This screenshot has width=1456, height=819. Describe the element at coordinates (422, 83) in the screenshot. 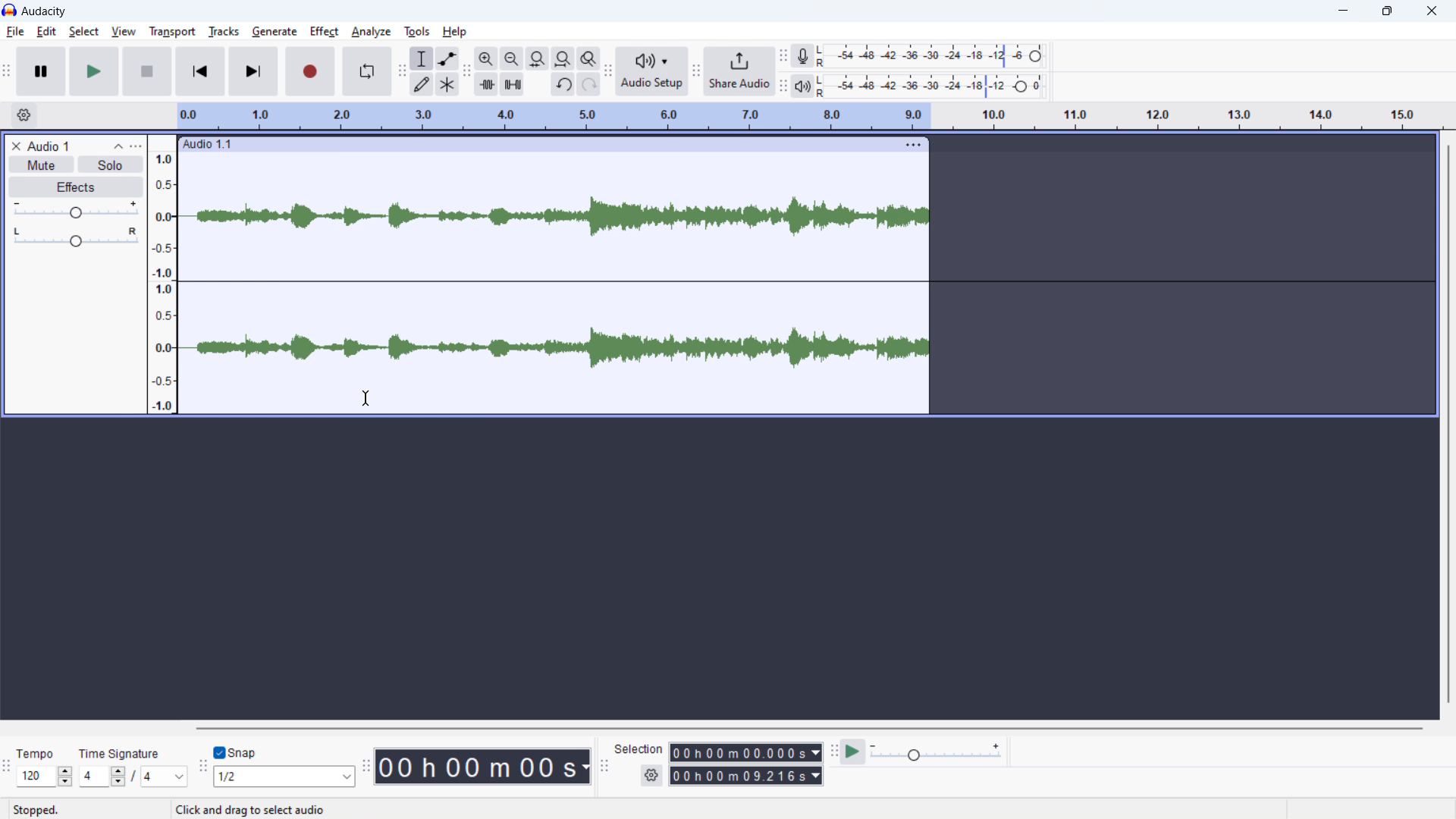

I see `draw tool` at that location.